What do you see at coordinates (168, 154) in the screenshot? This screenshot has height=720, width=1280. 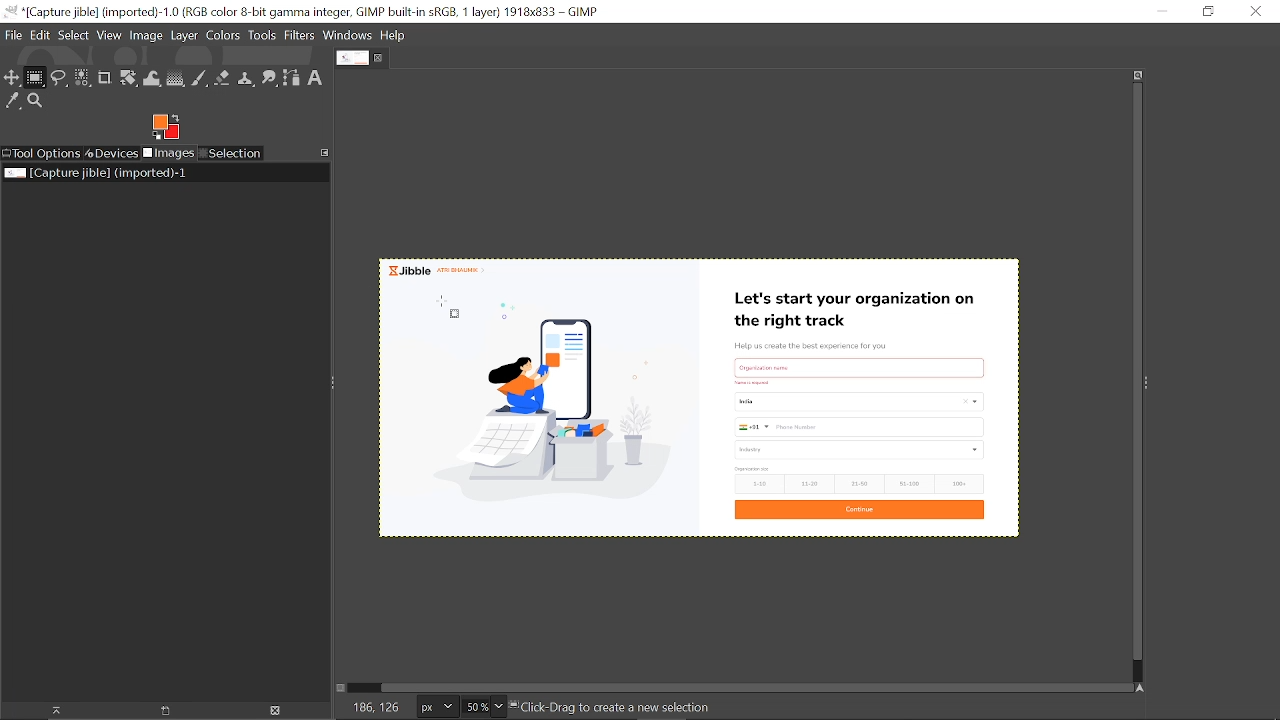 I see `Images` at bounding box center [168, 154].